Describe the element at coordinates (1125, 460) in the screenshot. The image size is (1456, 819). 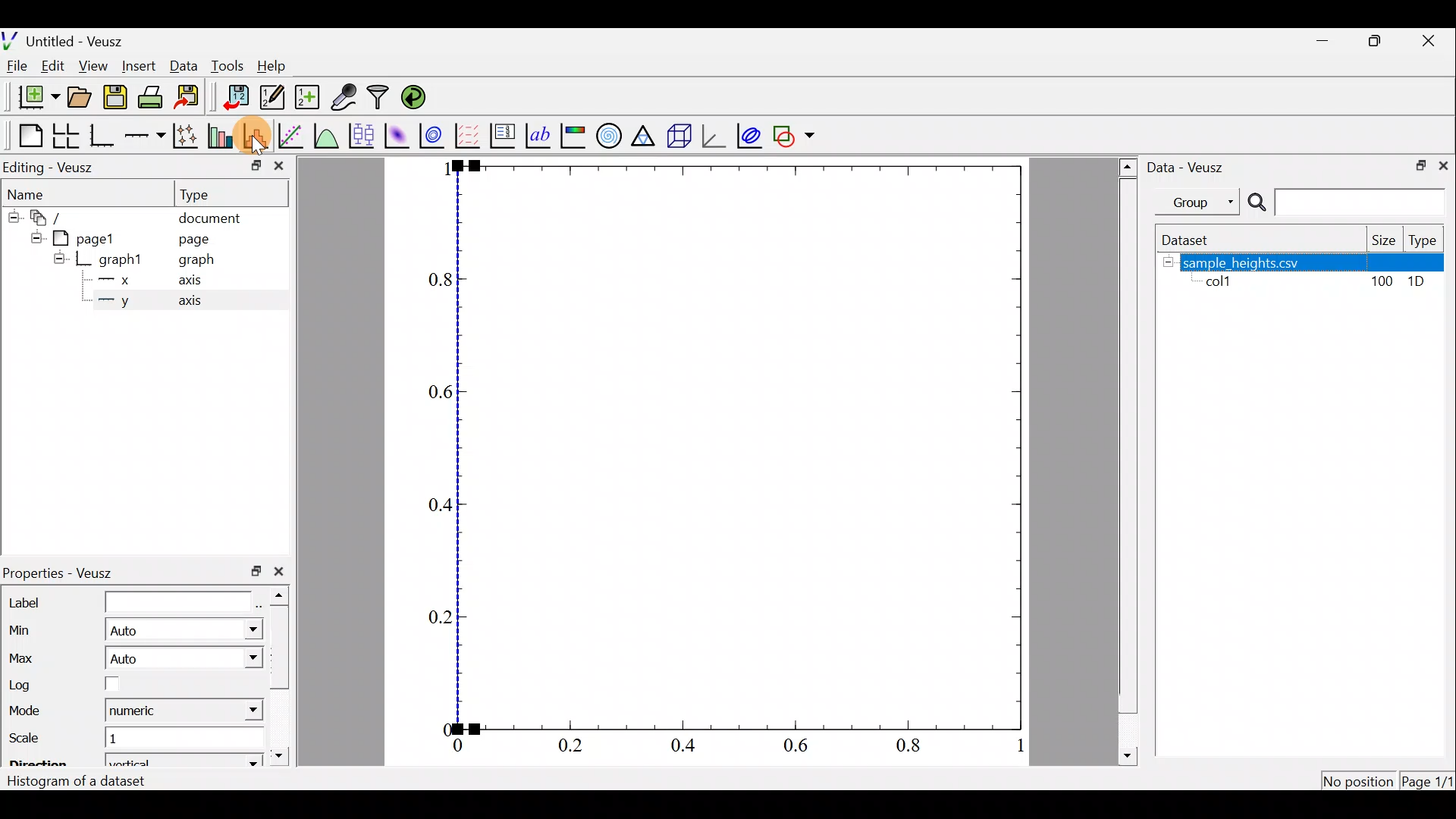
I see `scroll bar` at that location.